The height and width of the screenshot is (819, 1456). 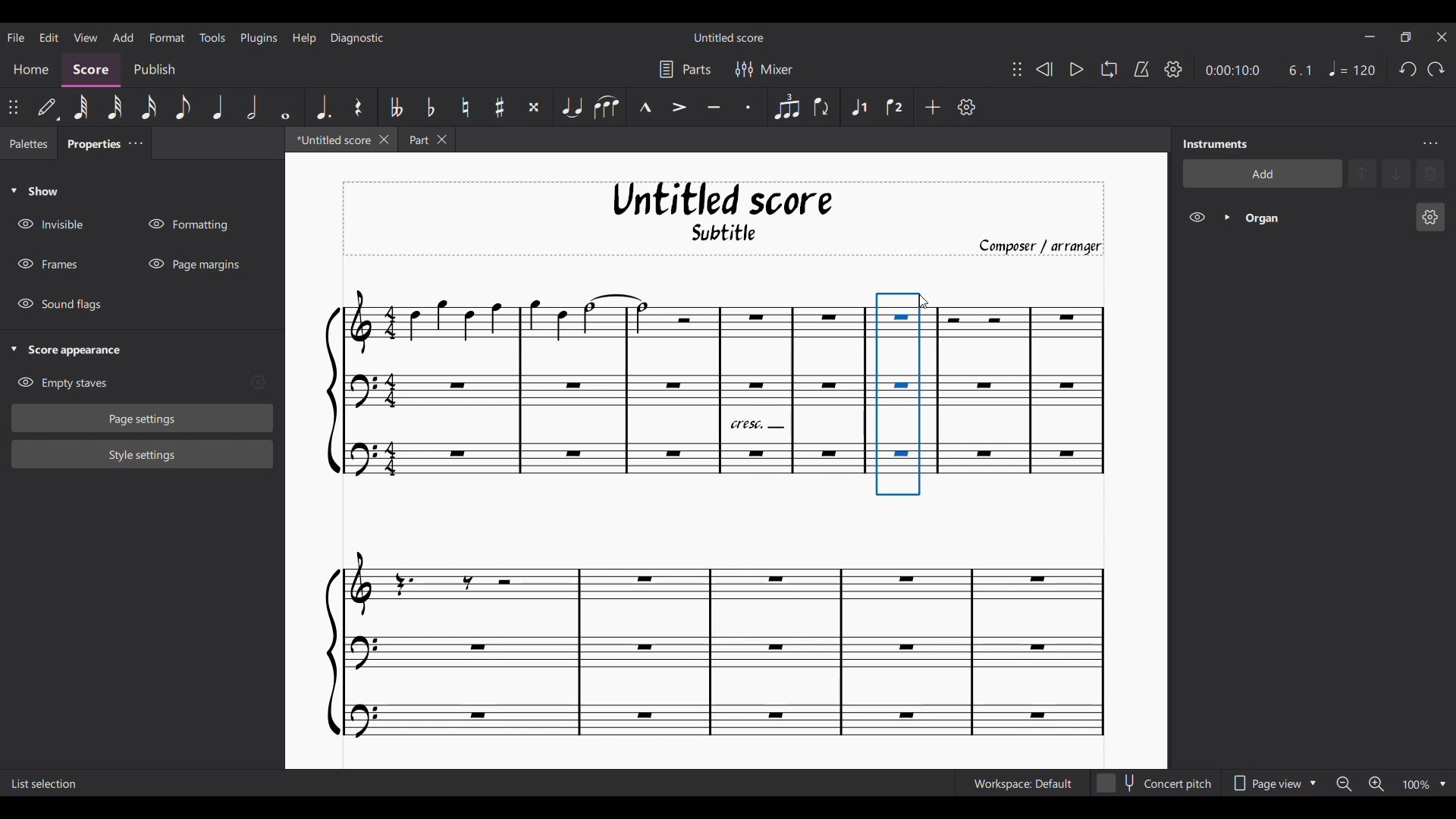 I want to click on Instruments panel settings, so click(x=1430, y=143).